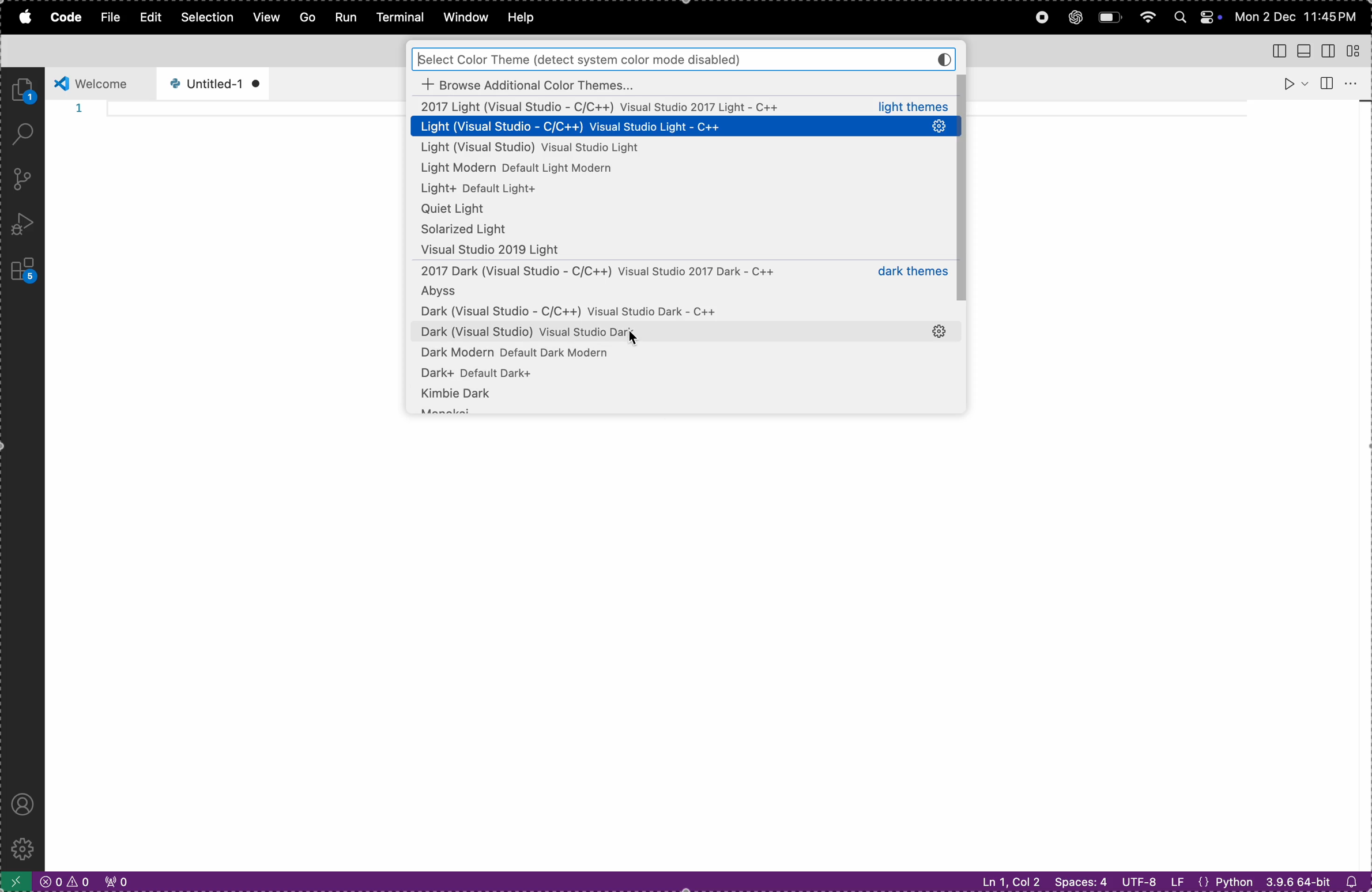  What do you see at coordinates (1299, 16) in the screenshot?
I see `date and time` at bounding box center [1299, 16].